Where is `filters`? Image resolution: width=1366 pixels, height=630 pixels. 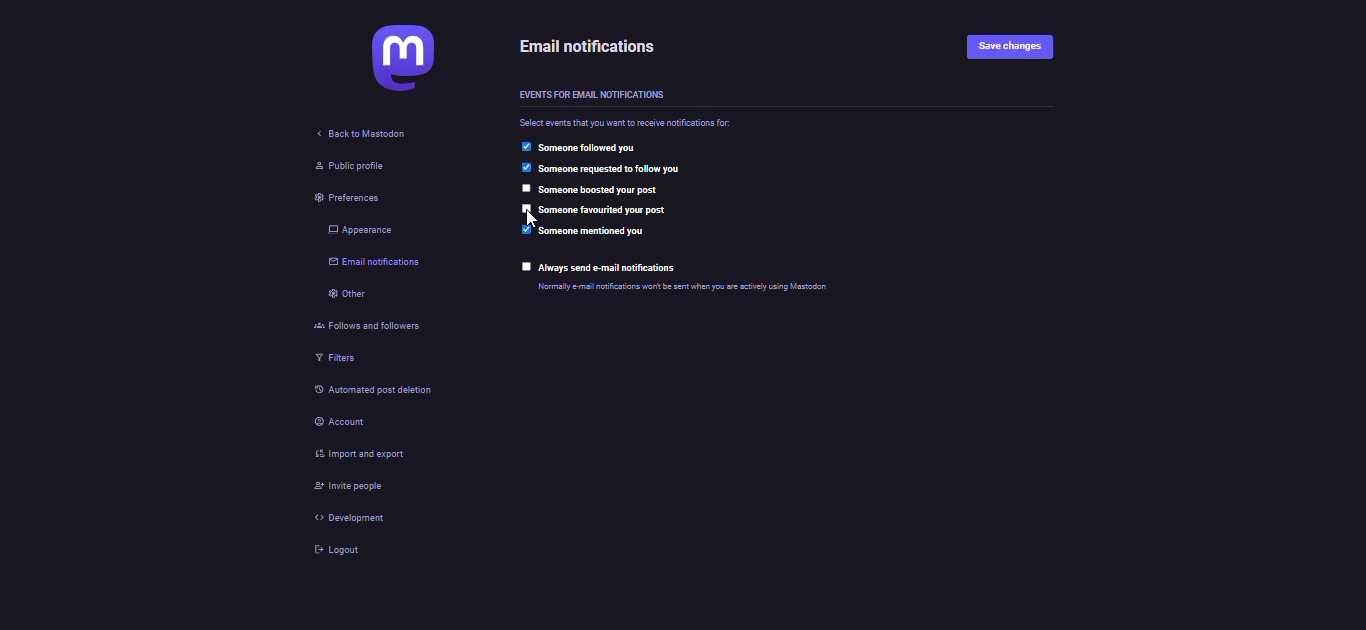 filters is located at coordinates (328, 360).